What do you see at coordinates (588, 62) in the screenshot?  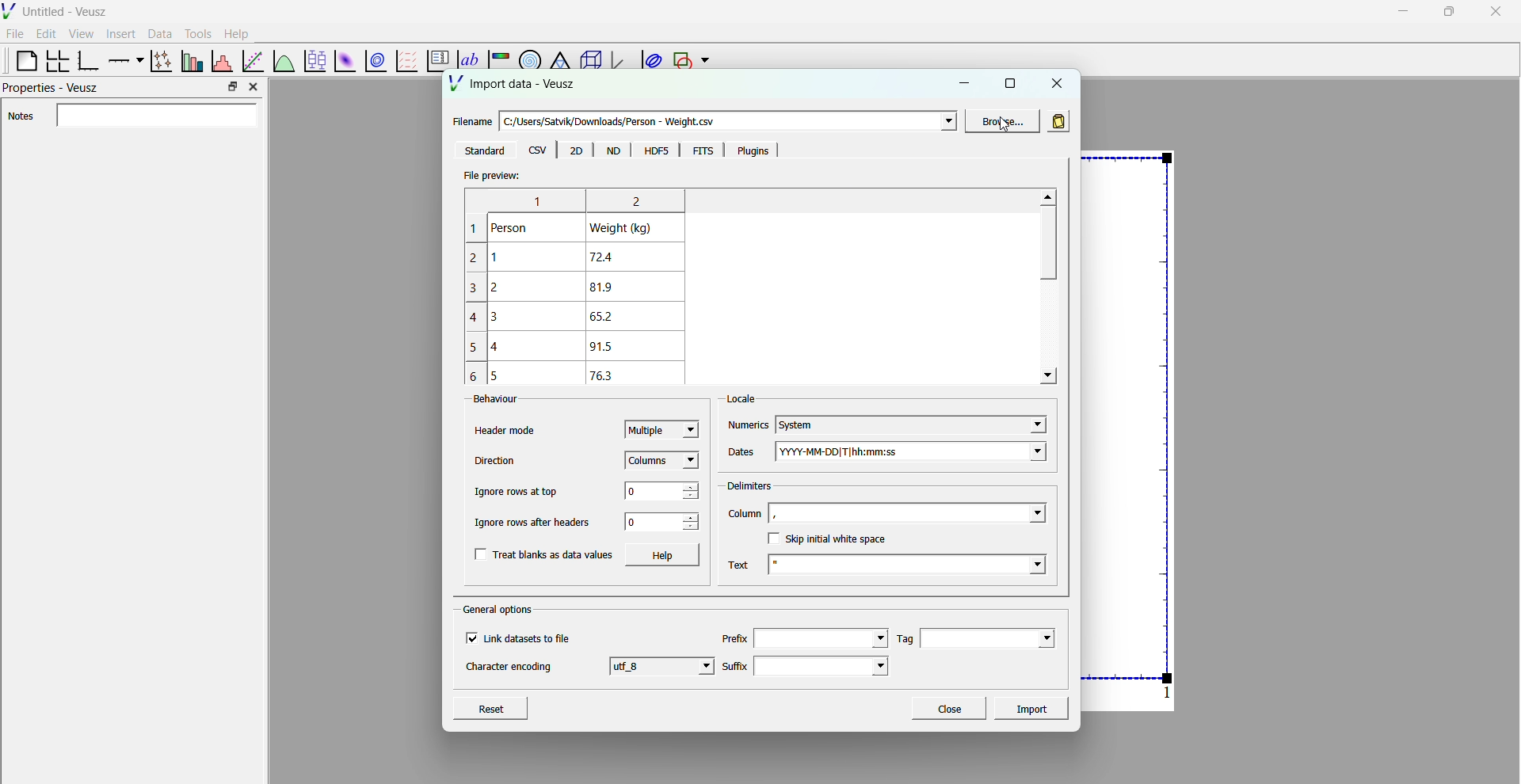 I see `3d scene` at bounding box center [588, 62].